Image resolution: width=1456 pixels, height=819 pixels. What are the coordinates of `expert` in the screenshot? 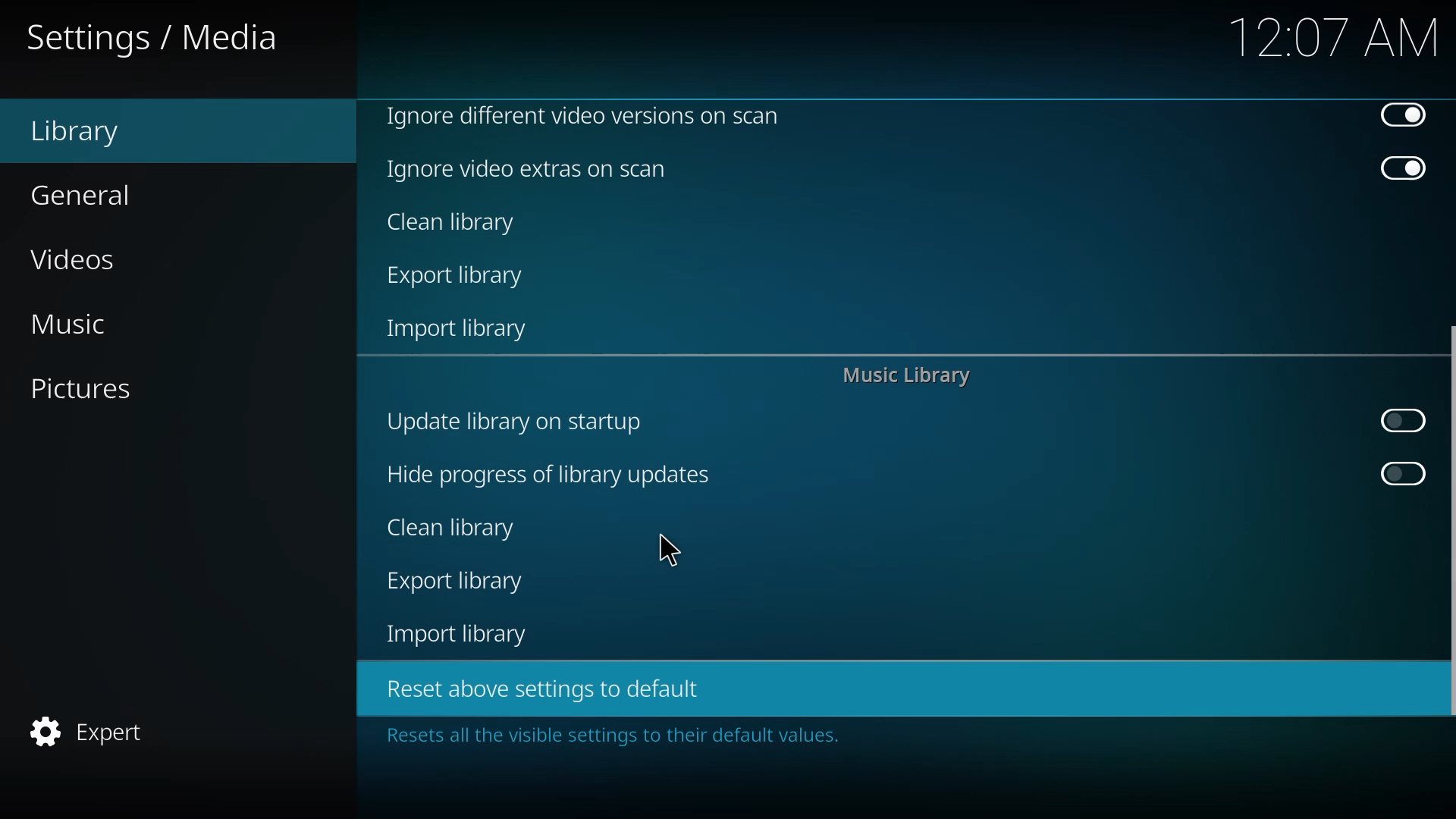 It's located at (86, 732).